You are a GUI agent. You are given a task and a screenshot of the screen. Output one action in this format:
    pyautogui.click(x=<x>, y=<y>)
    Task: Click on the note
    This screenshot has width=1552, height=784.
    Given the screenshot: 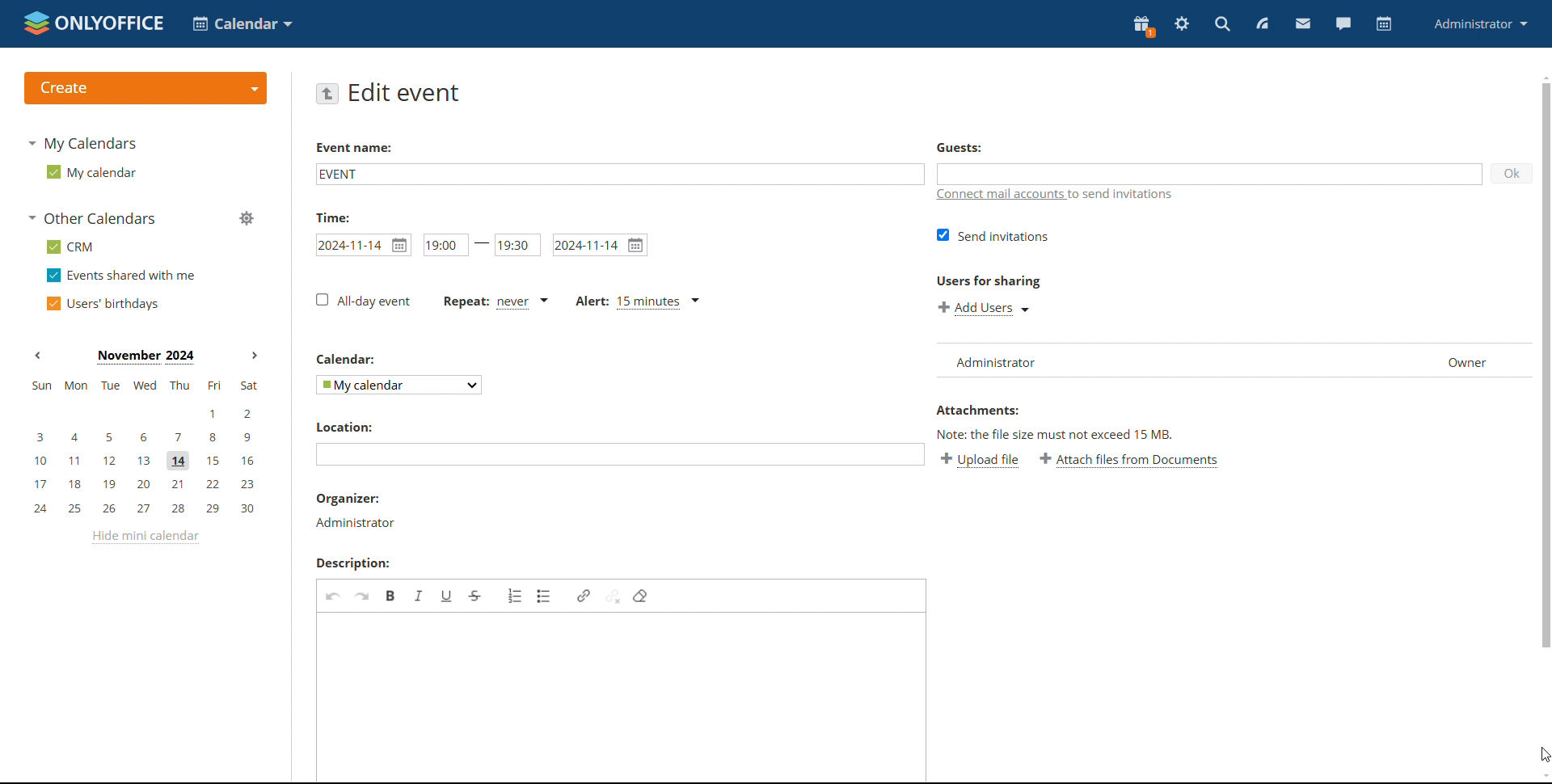 What is the action you would take?
    pyautogui.click(x=1076, y=434)
    